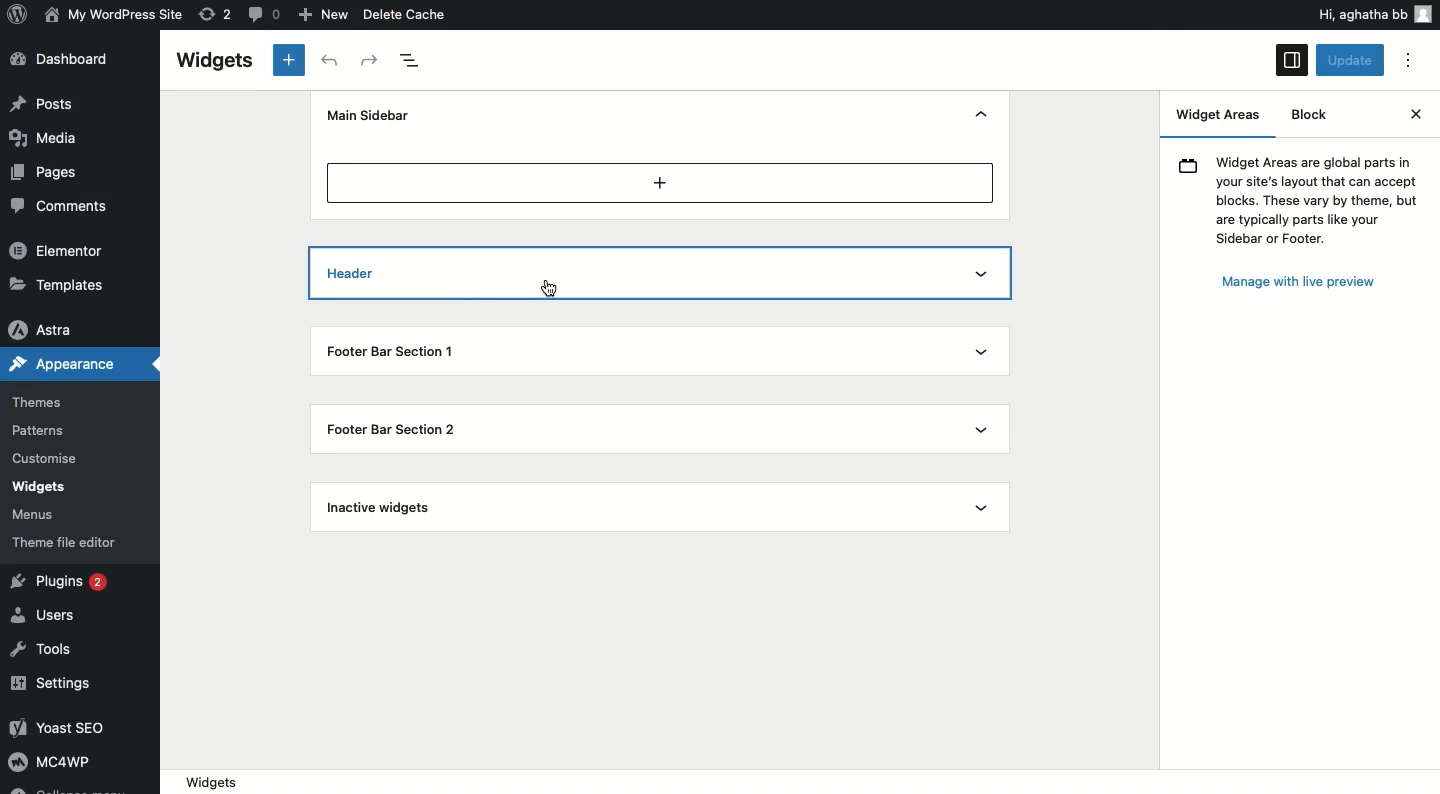  I want to click on Show, so click(984, 507).